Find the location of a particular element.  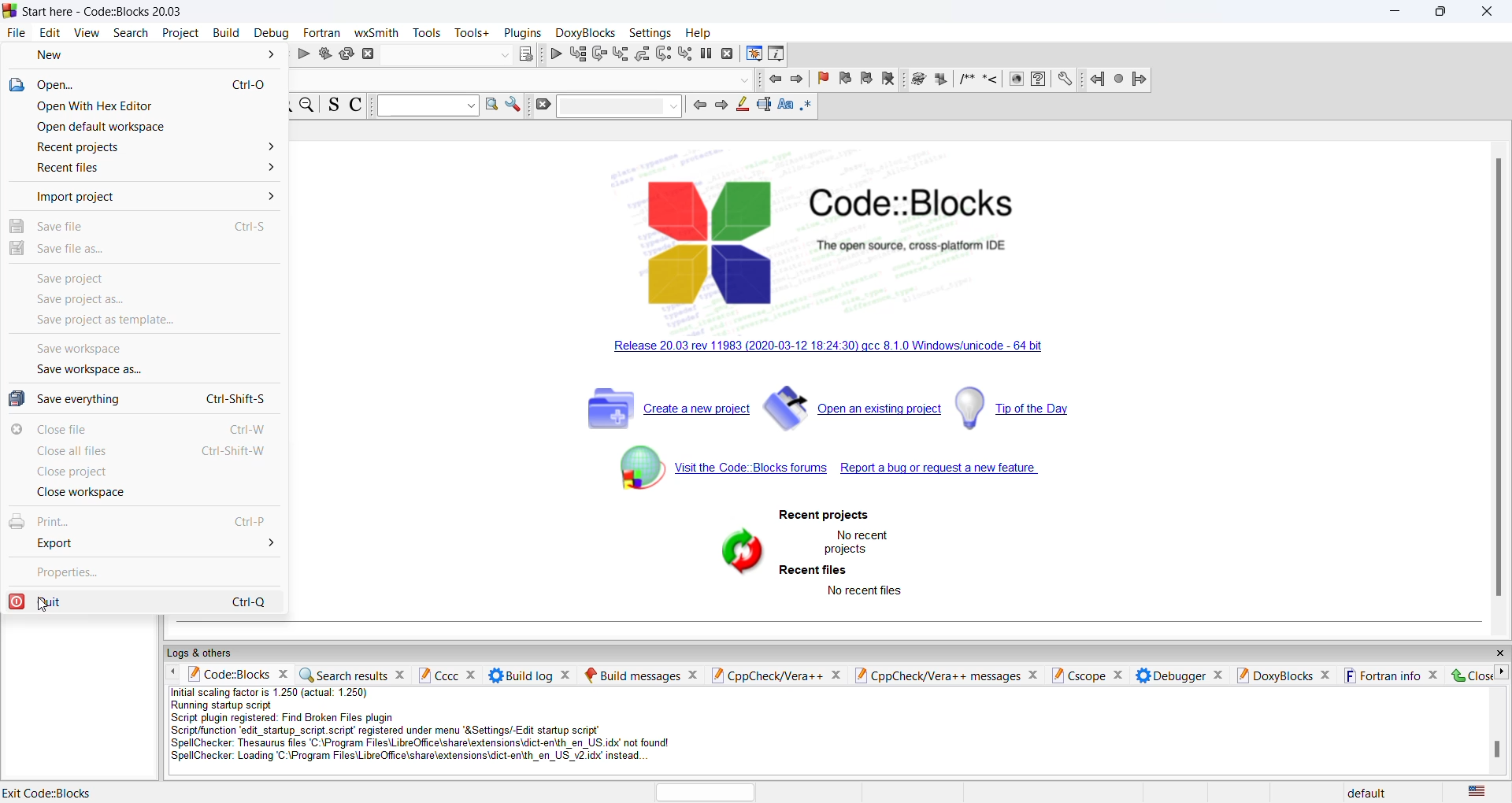

match case is located at coordinates (787, 105).